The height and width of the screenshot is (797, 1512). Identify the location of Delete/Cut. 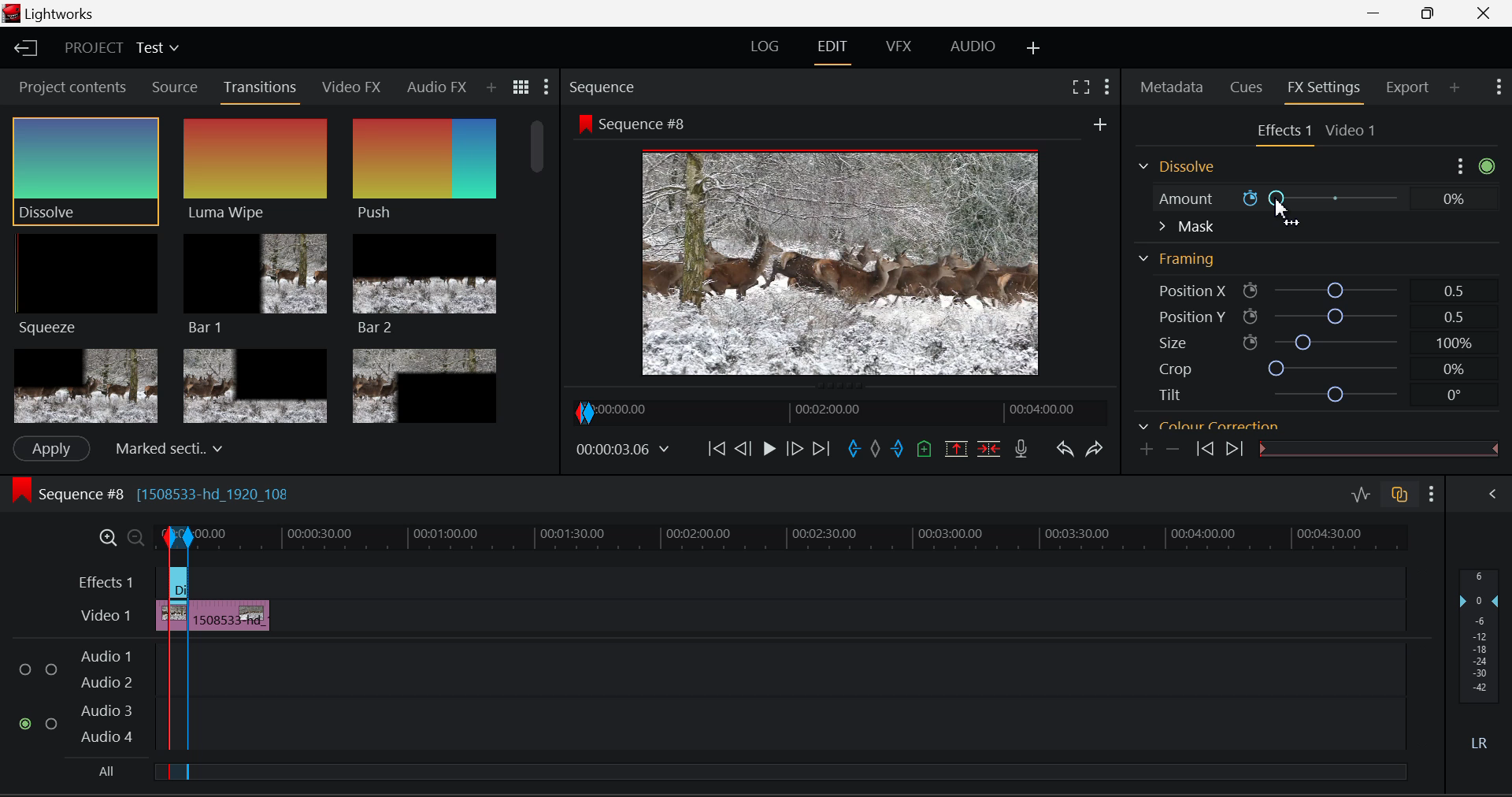
(992, 447).